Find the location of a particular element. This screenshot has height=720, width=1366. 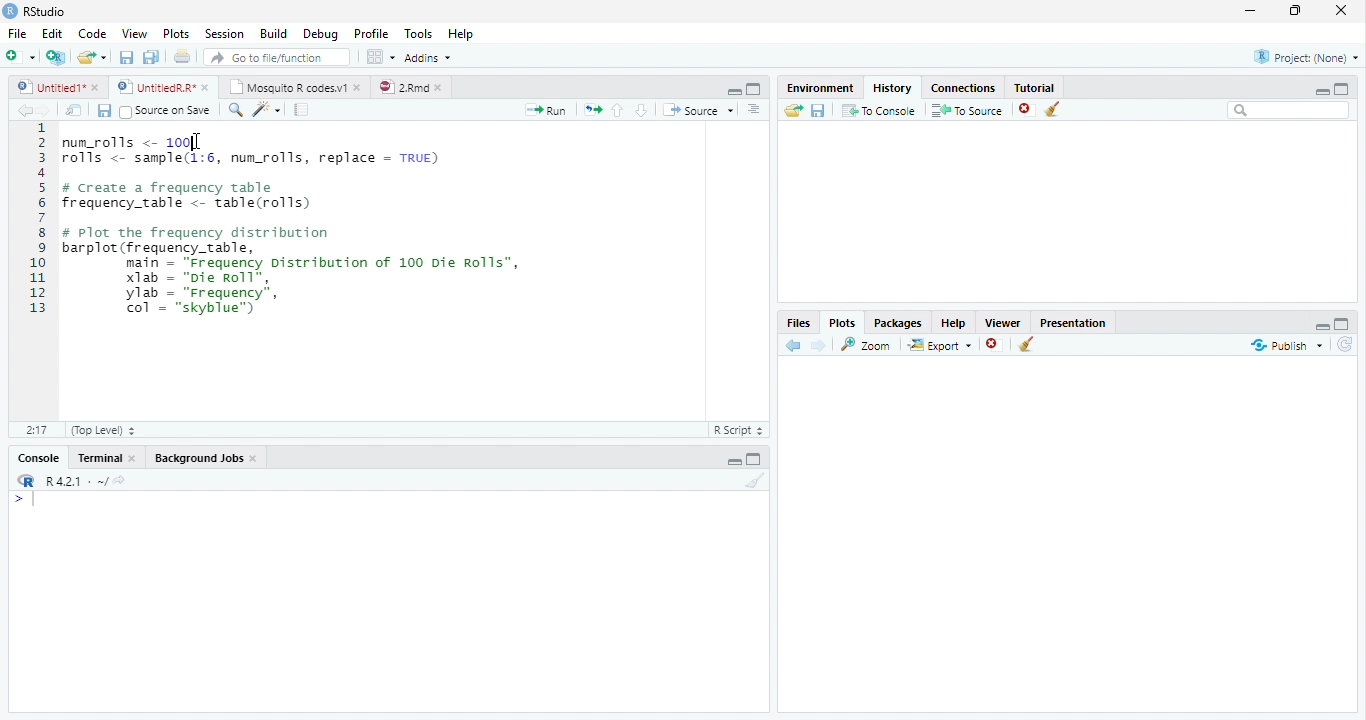

Show in new window is located at coordinates (76, 110).